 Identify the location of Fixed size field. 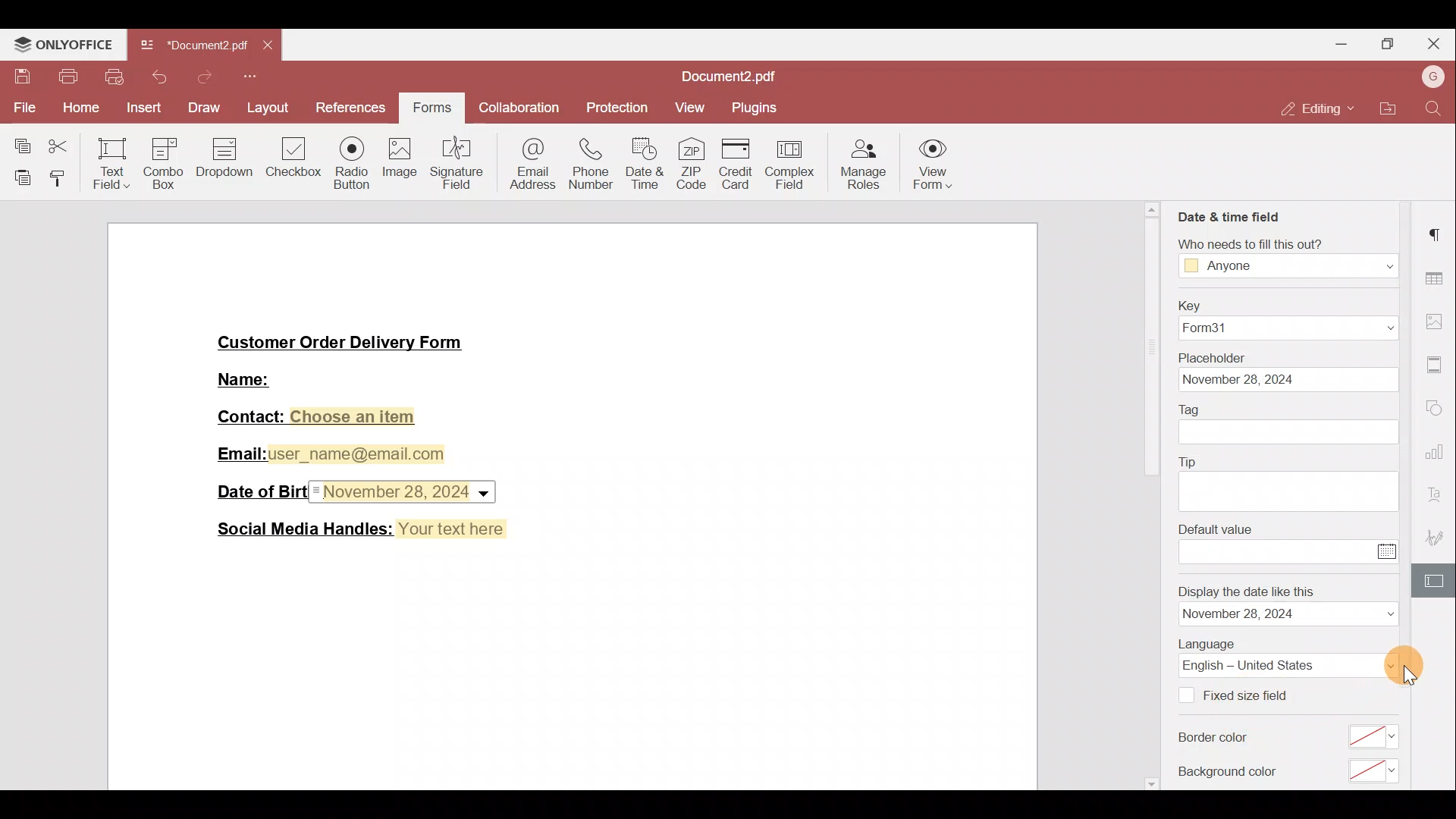
(1257, 695).